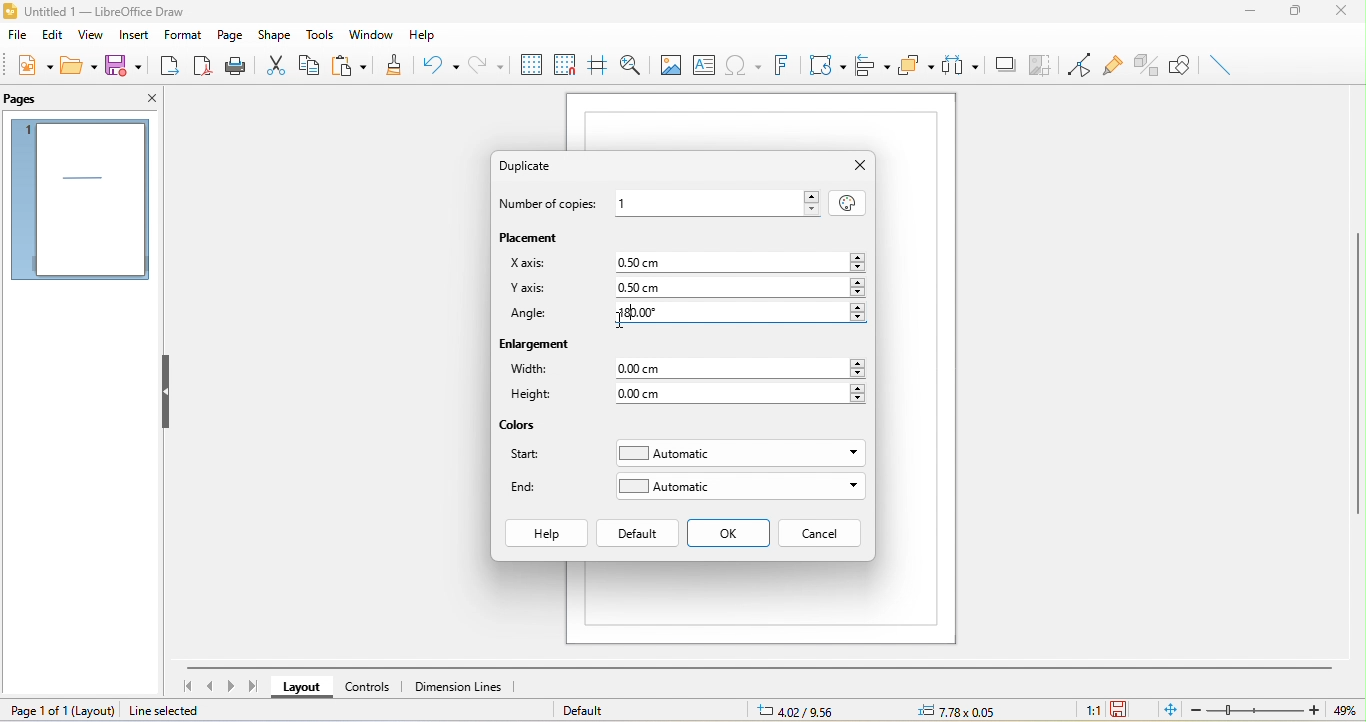 The width and height of the screenshot is (1366, 722). Describe the element at coordinates (743, 368) in the screenshot. I see `0.00 cm` at that location.